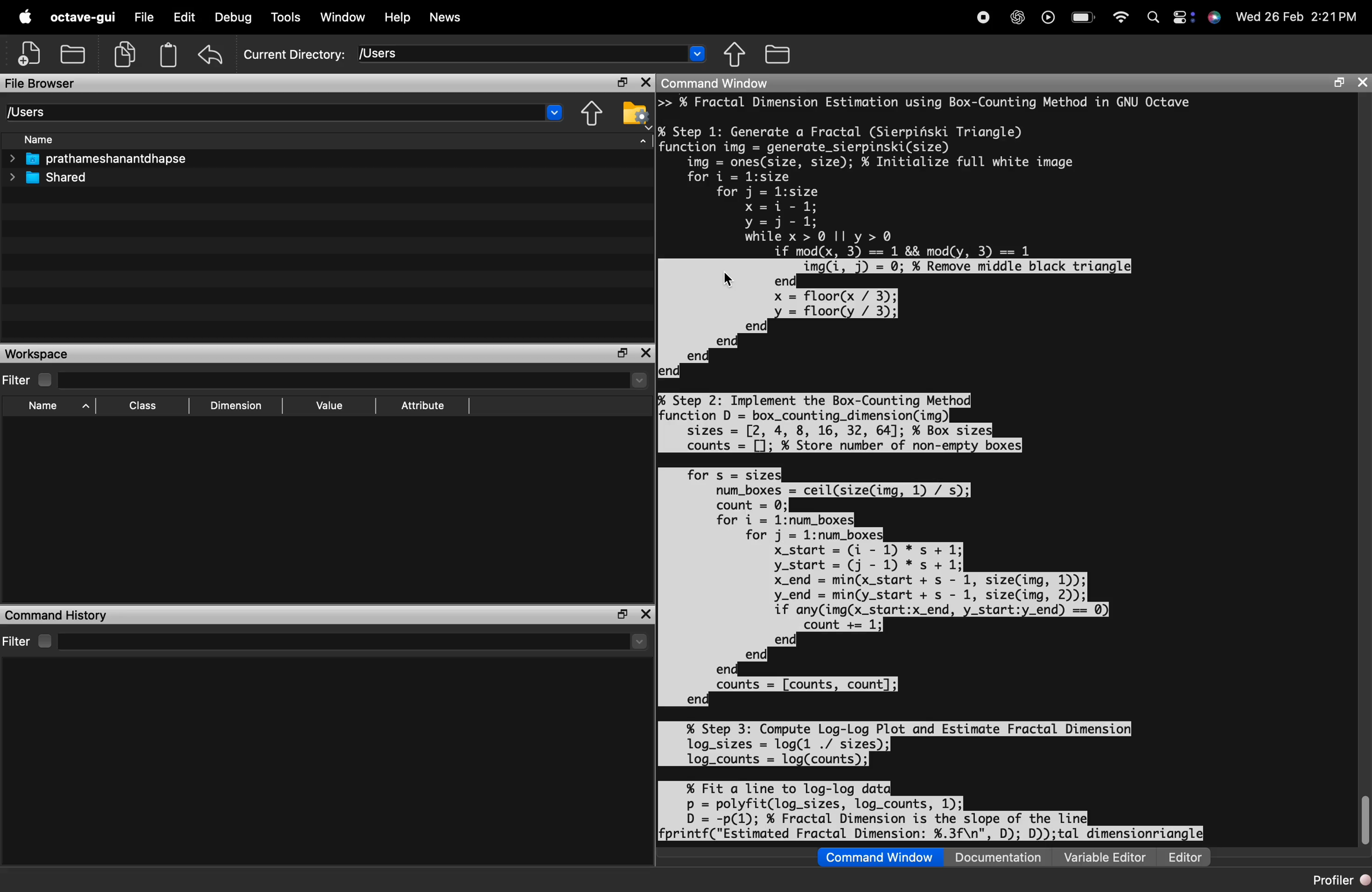 Image resolution: width=1372 pixels, height=892 pixels. Describe the element at coordinates (1087, 12) in the screenshot. I see `battery` at that location.